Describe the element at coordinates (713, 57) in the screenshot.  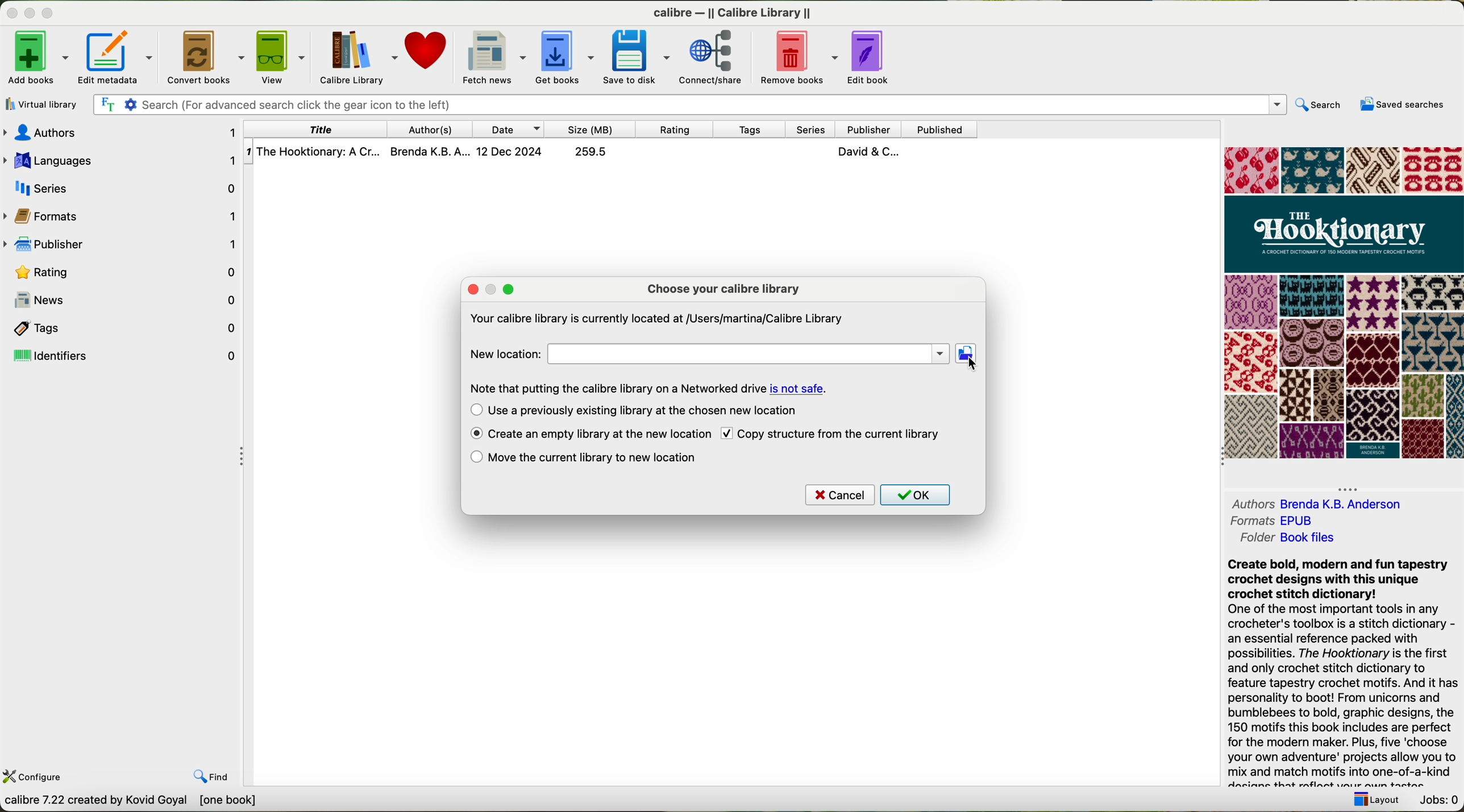
I see `connect/share` at that location.